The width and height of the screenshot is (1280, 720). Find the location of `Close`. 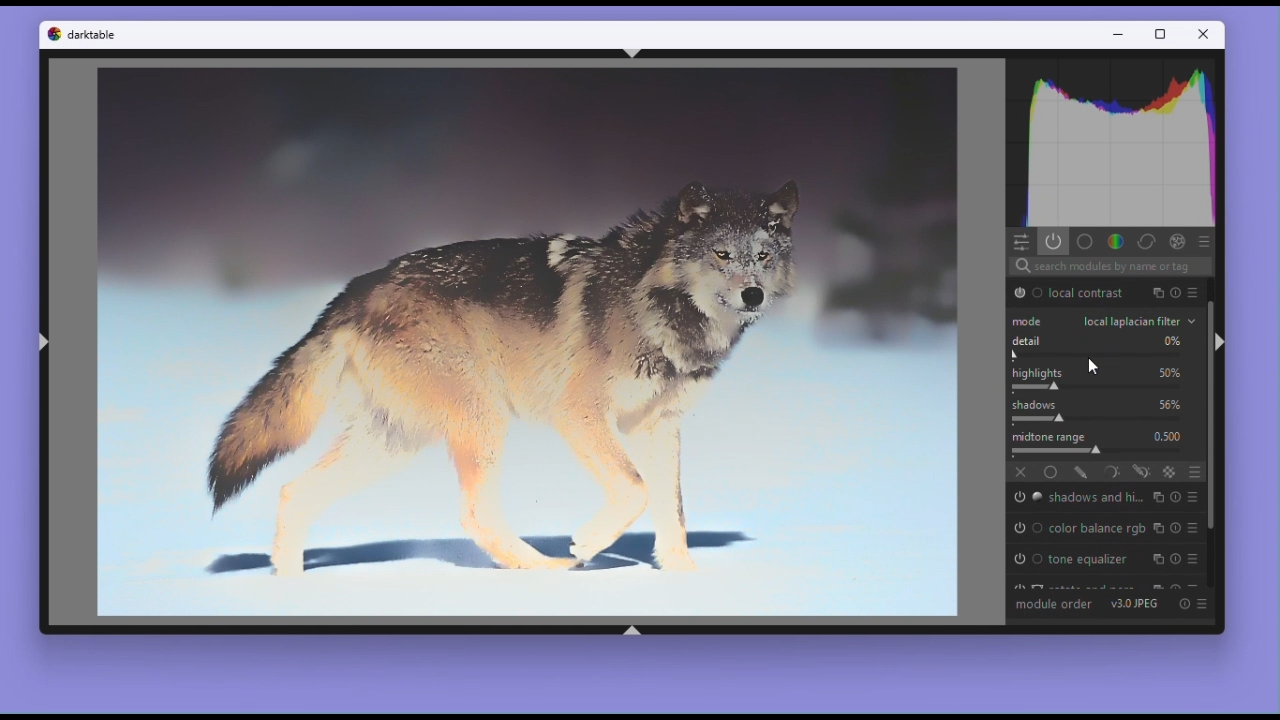

Close is located at coordinates (1205, 34).